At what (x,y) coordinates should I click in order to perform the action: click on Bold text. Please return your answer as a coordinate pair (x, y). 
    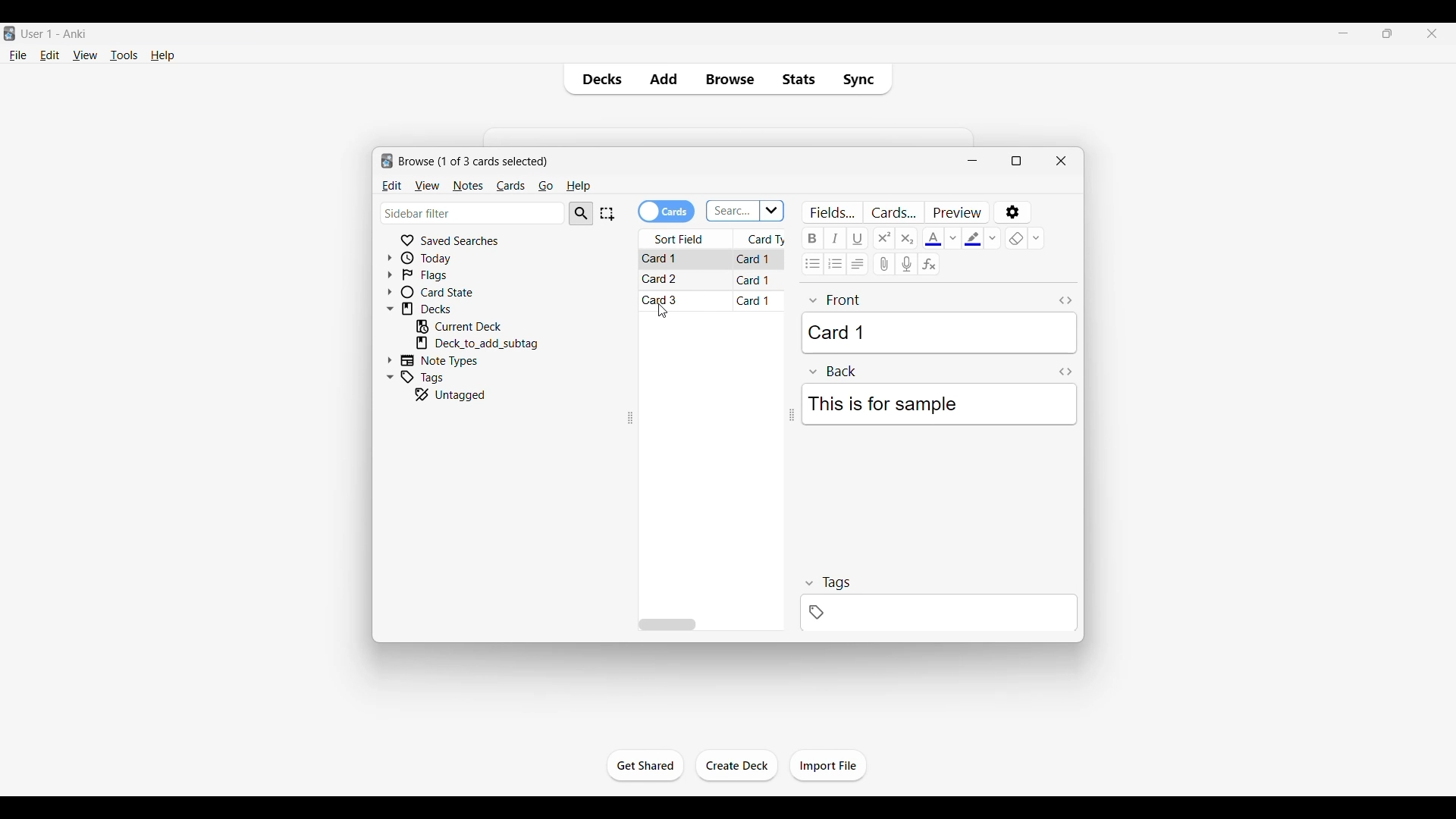
    Looking at the image, I should click on (812, 238).